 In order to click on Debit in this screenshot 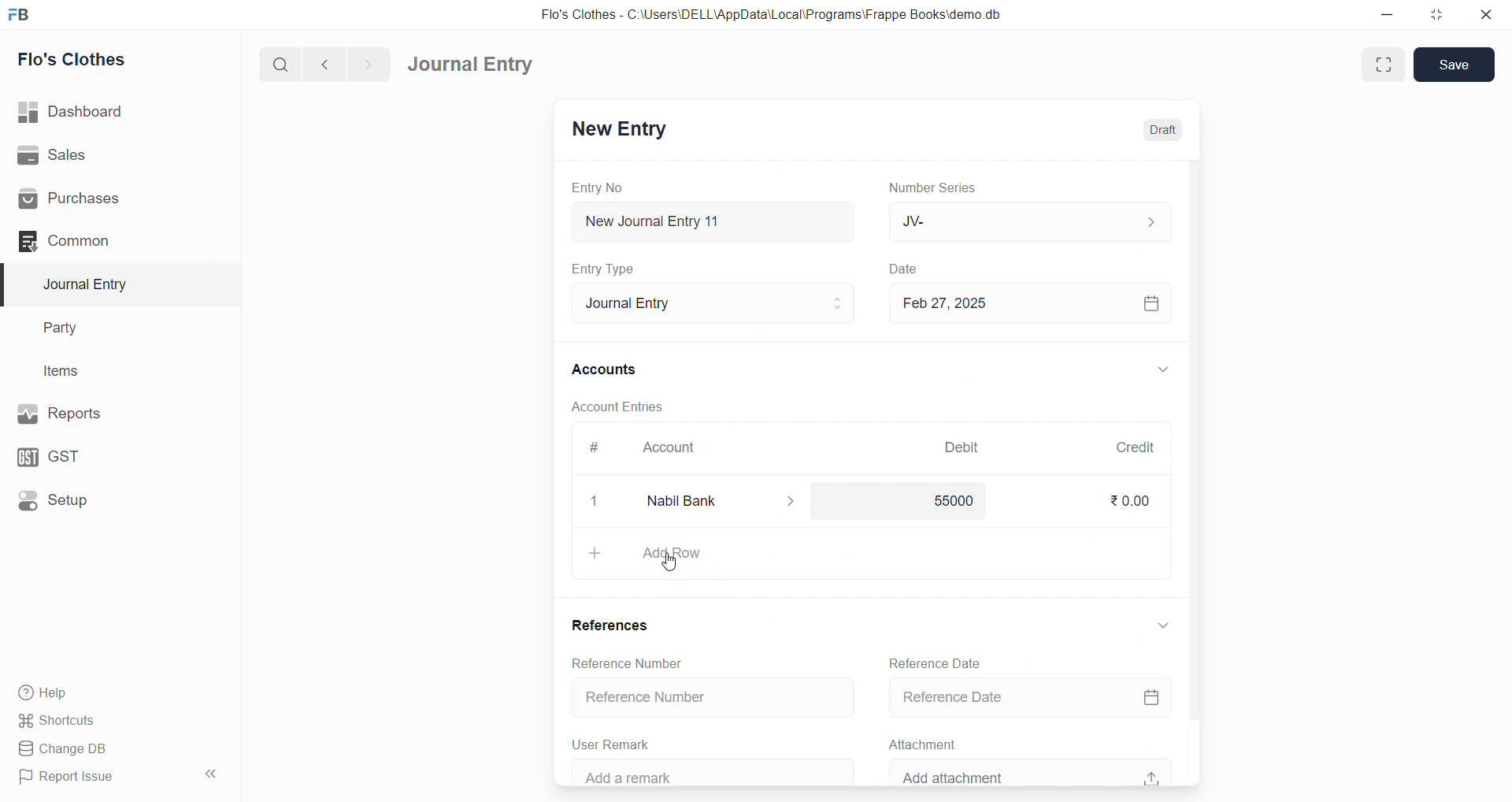, I will do `click(965, 446)`.